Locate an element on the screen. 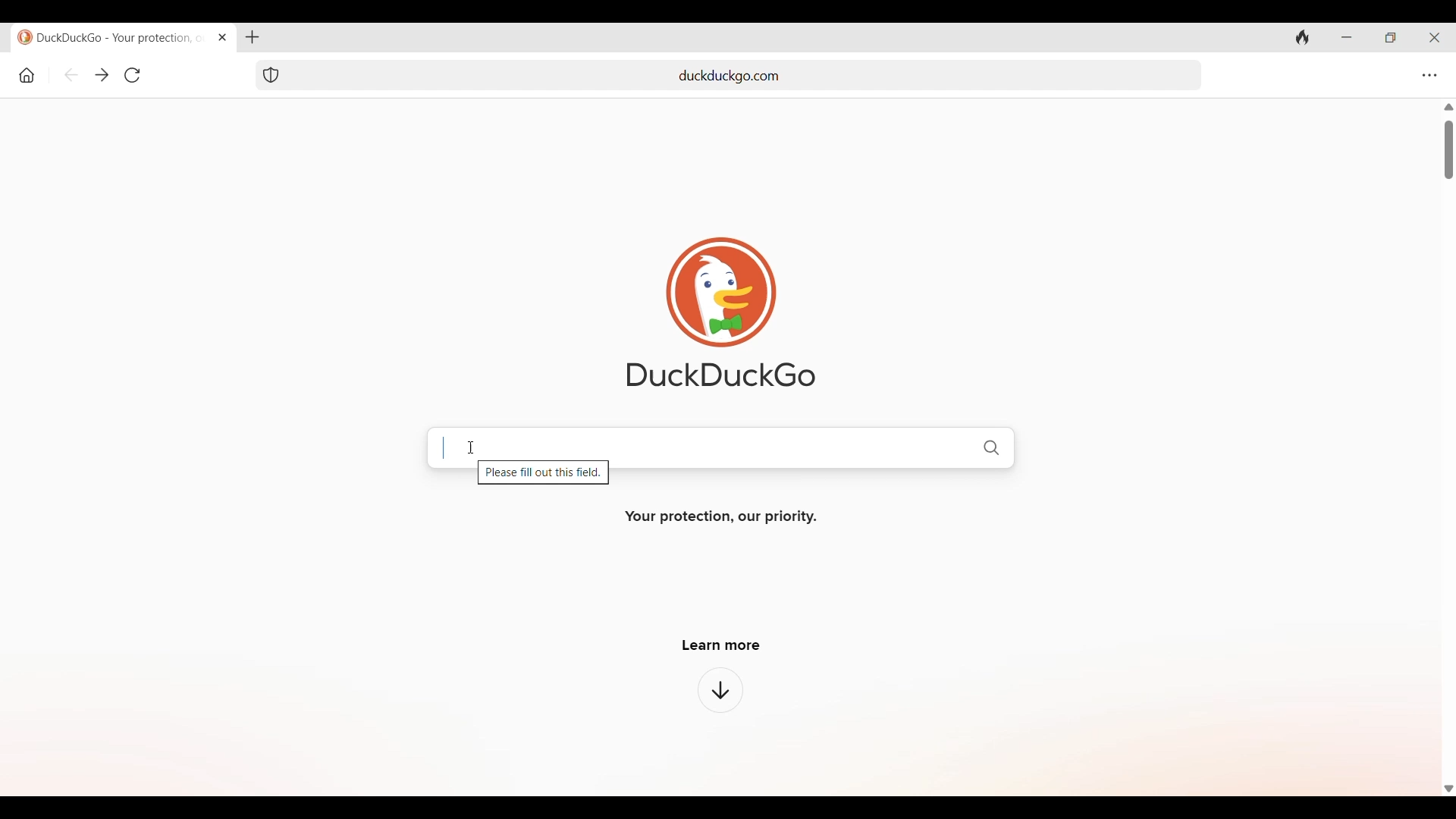 This screenshot has width=1456, height=819. Add URL is located at coordinates (748, 74).